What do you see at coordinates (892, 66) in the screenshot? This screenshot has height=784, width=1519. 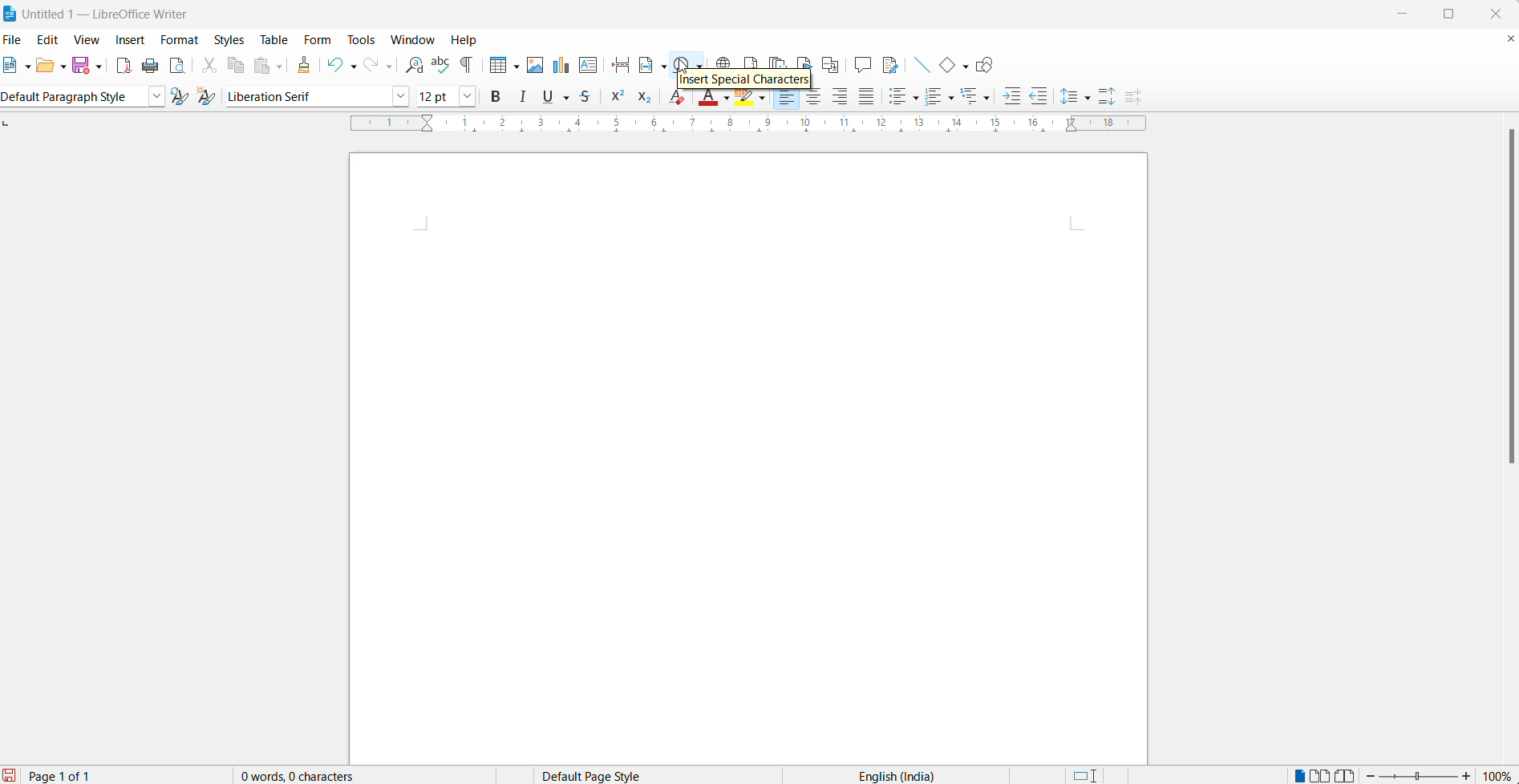 I see `show track changes functions` at bounding box center [892, 66].